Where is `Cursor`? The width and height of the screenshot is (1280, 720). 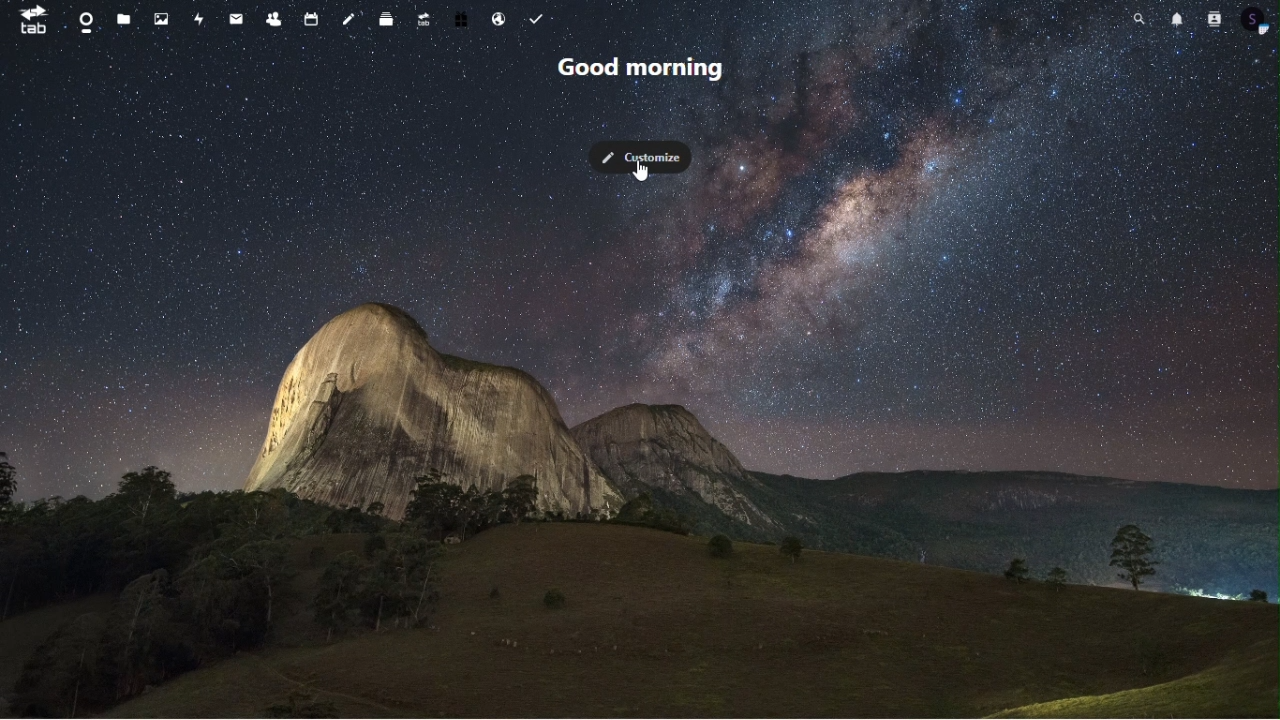
Cursor is located at coordinates (643, 173).